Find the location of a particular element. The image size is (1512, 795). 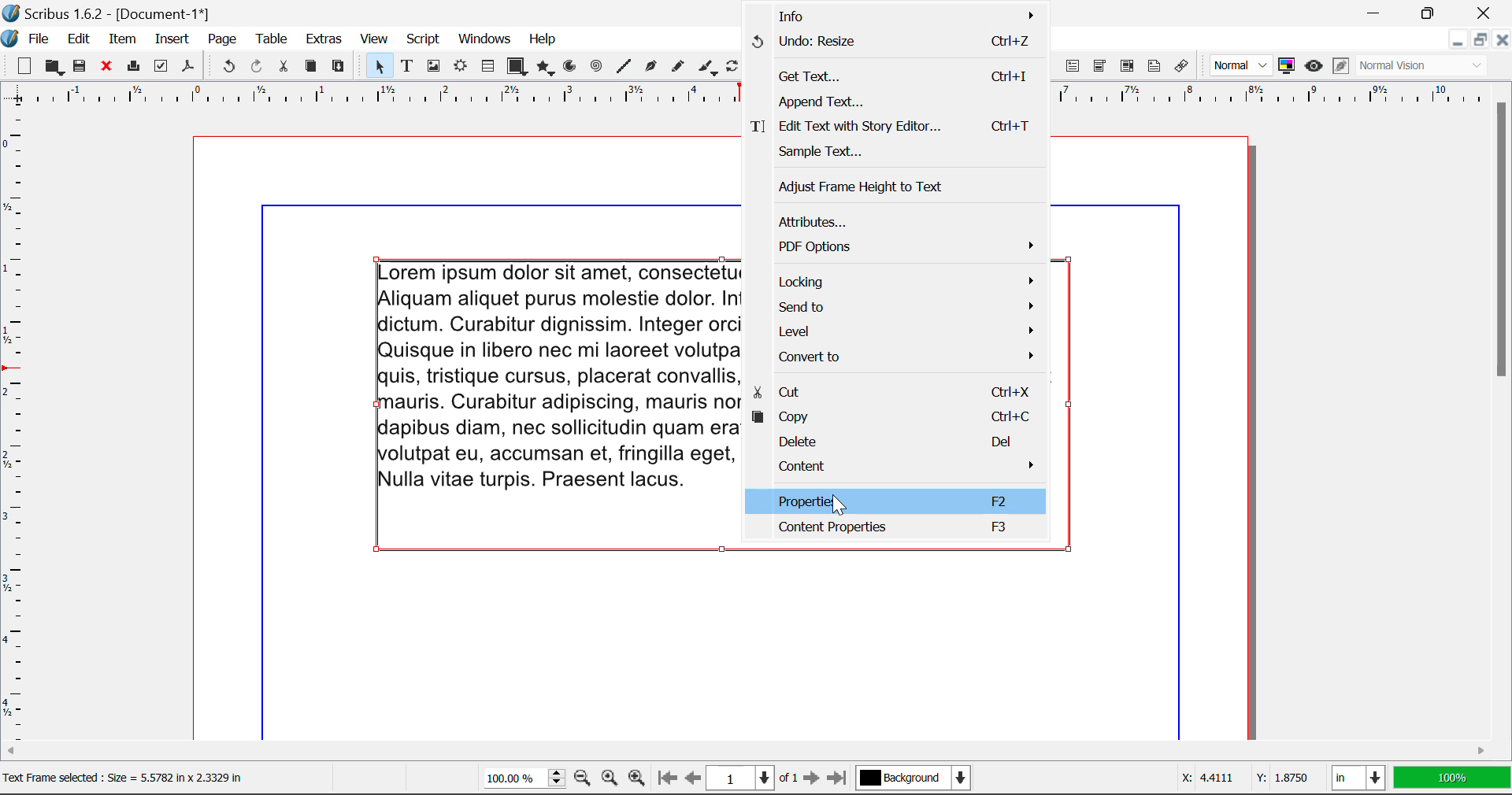

Edit Text with Story Editor is located at coordinates (895, 128).